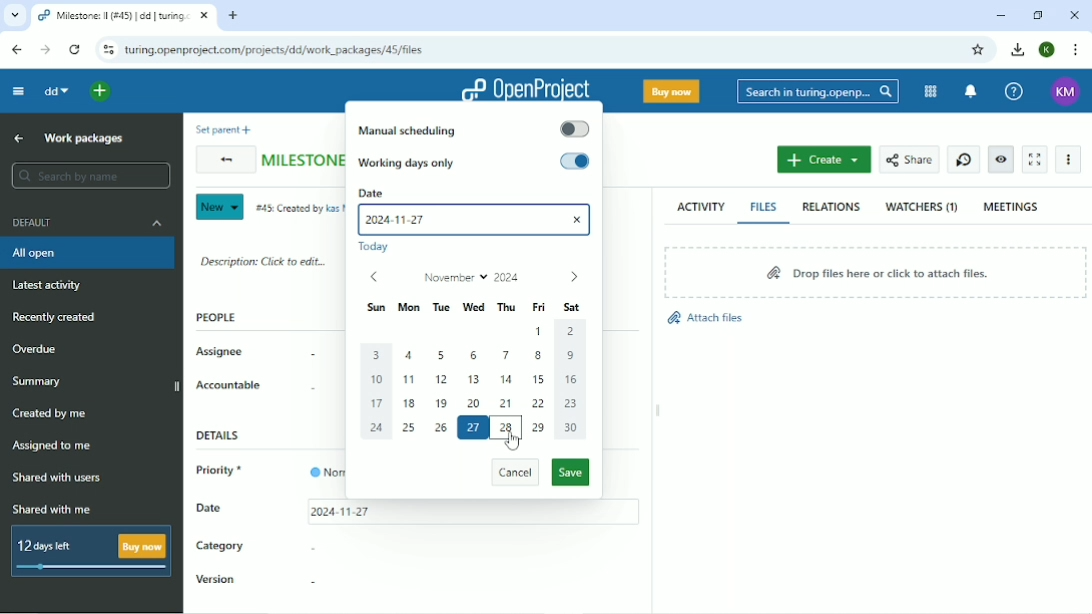 This screenshot has height=614, width=1092. I want to click on Bookmark this tab, so click(977, 50).